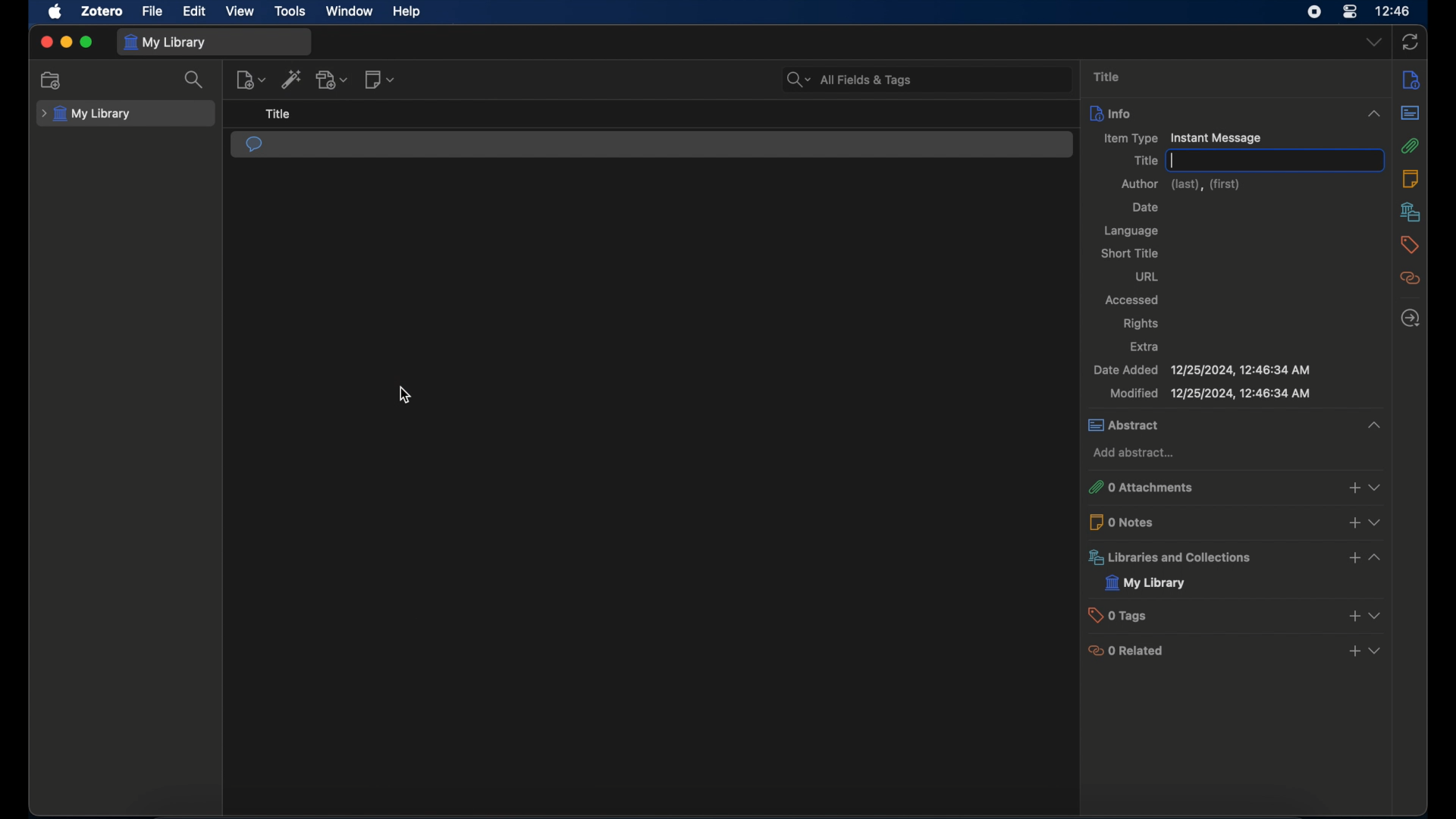  I want to click on title, so click(1145, 160).